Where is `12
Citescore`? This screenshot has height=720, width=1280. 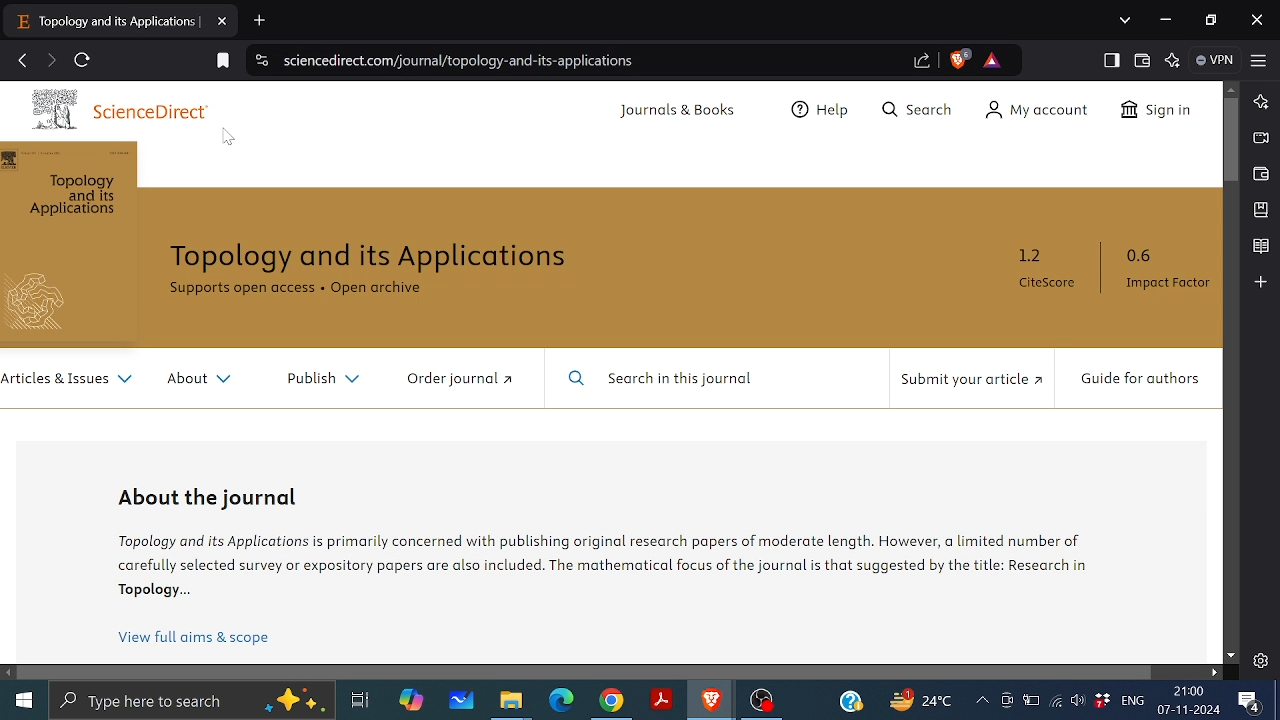 12
Citescore is located at coordinates (1040, 273).